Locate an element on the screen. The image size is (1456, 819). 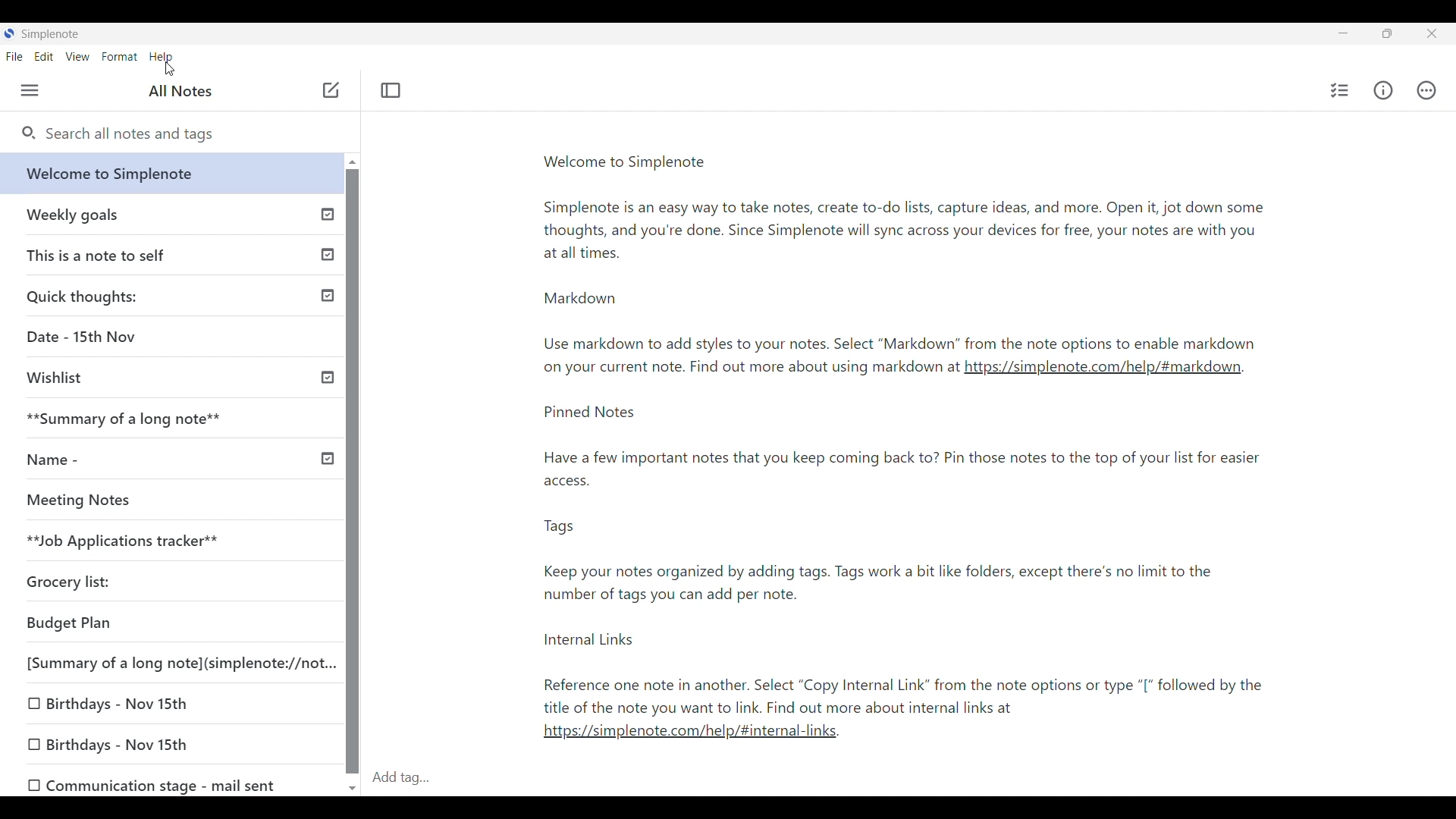
Insert checklist is located at coordinates (1340, 90).